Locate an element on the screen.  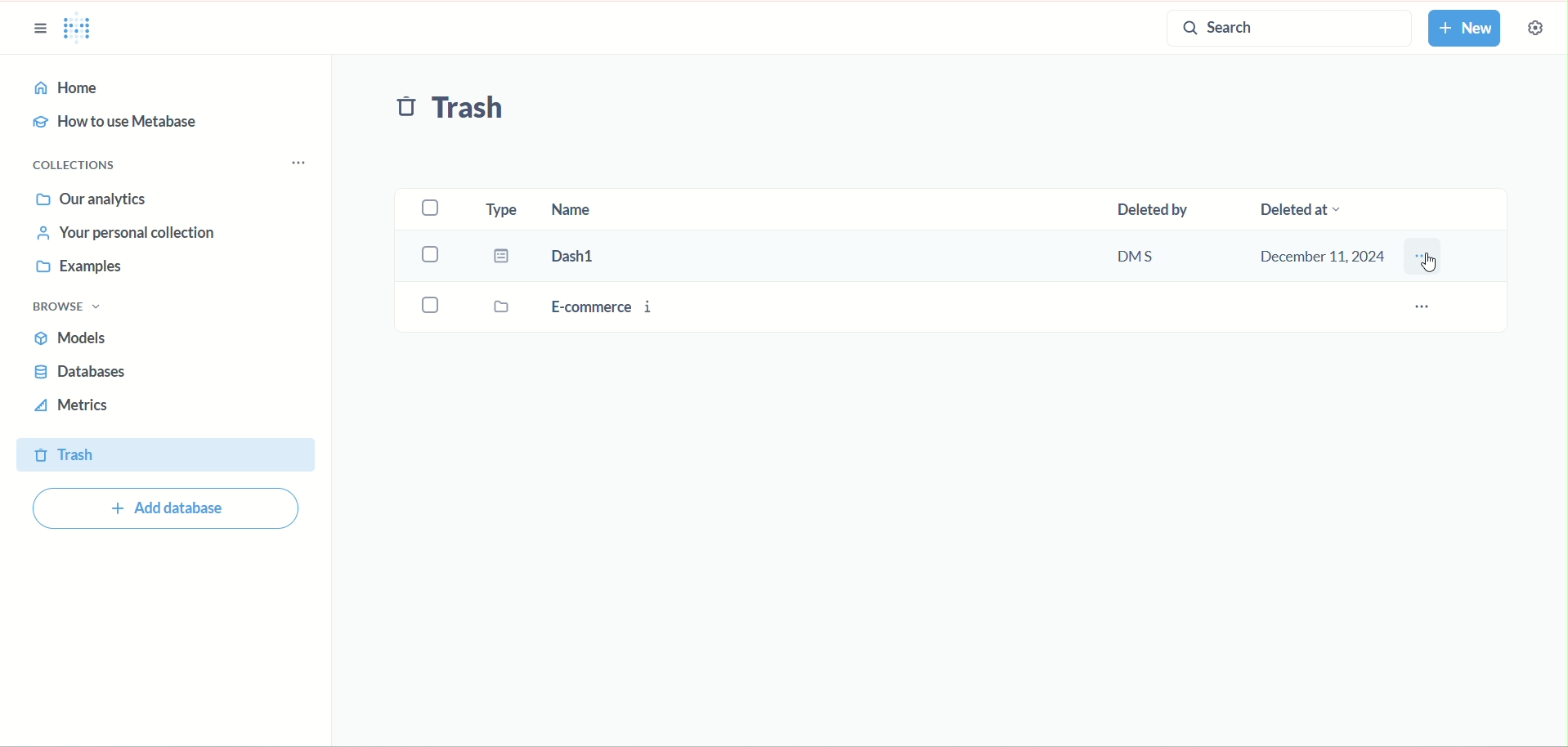
select Dash1 is located at coordinates (435, 254).